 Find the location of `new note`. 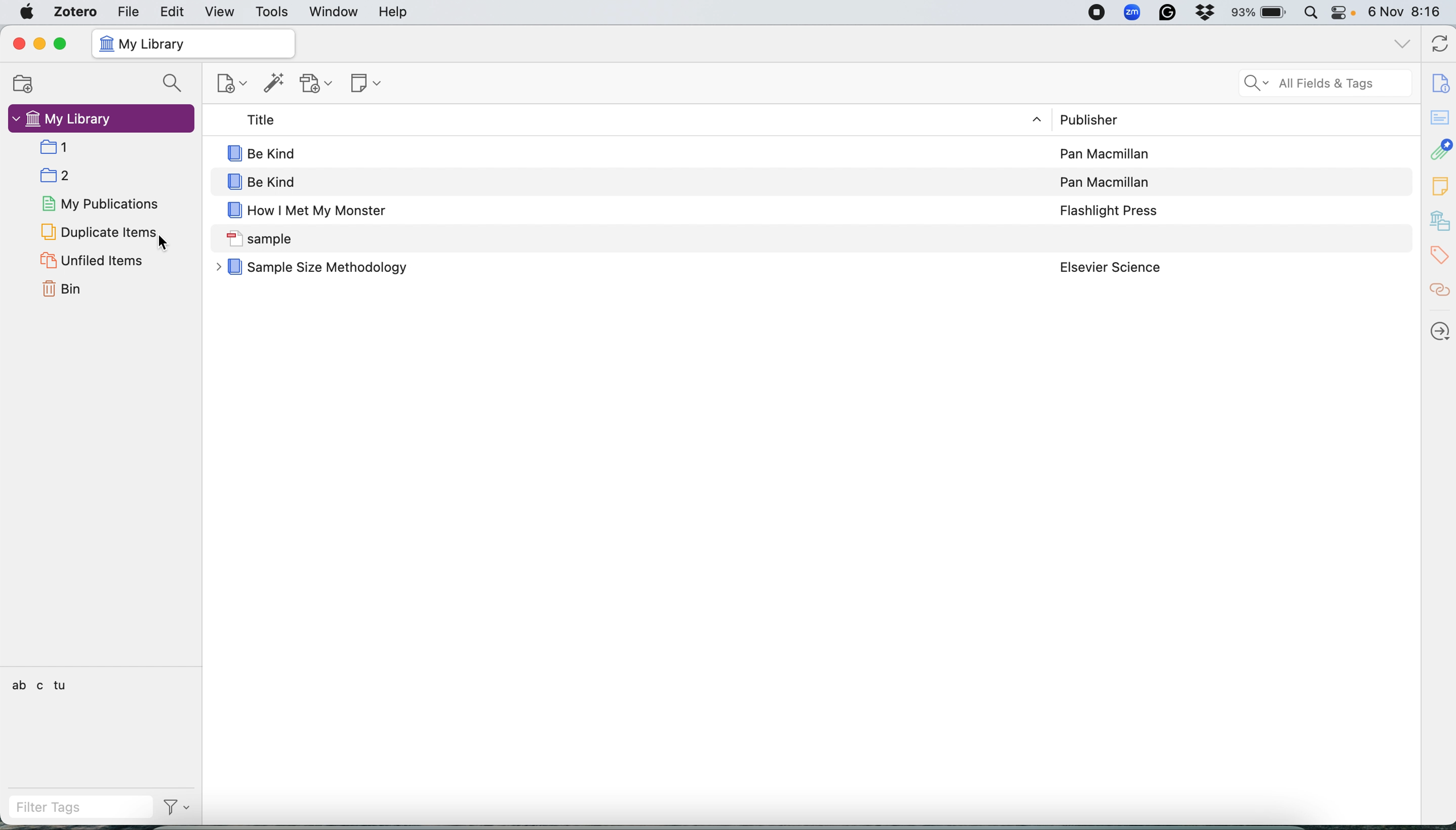

new note is located at coordinates (369, 83).